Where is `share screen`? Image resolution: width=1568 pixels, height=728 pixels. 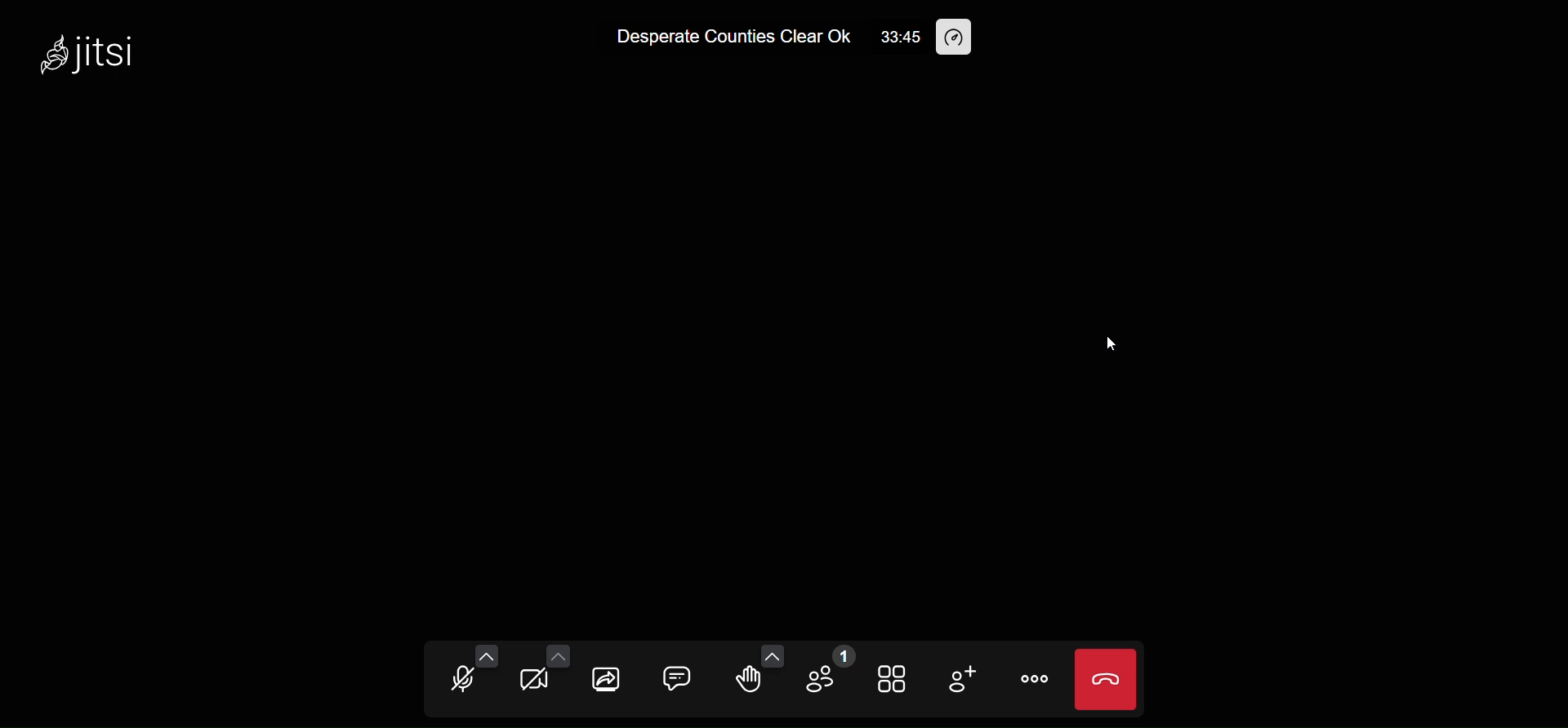 share screen is located at coordinates (604, 680).